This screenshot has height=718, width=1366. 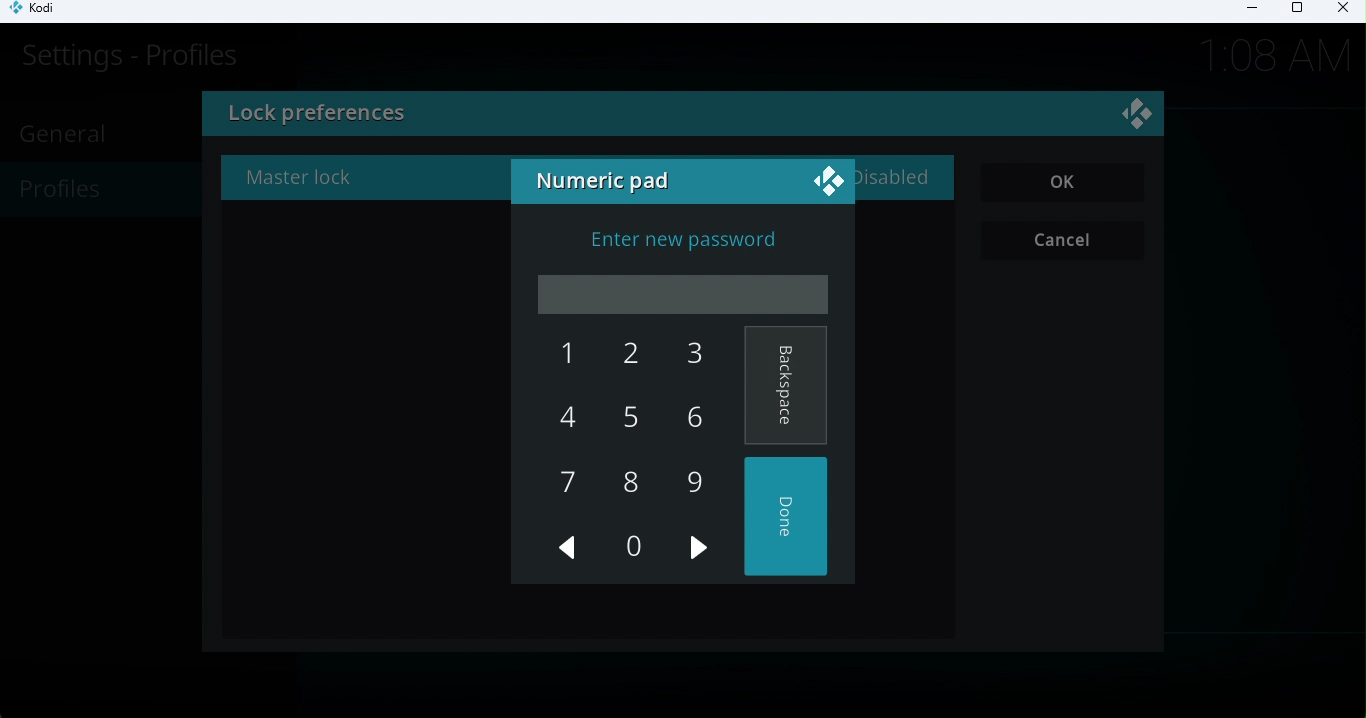 What do you see at coordinates (1245, 11) in the screenshot?
I see `Minimize` at bounding box center [1245, 11].